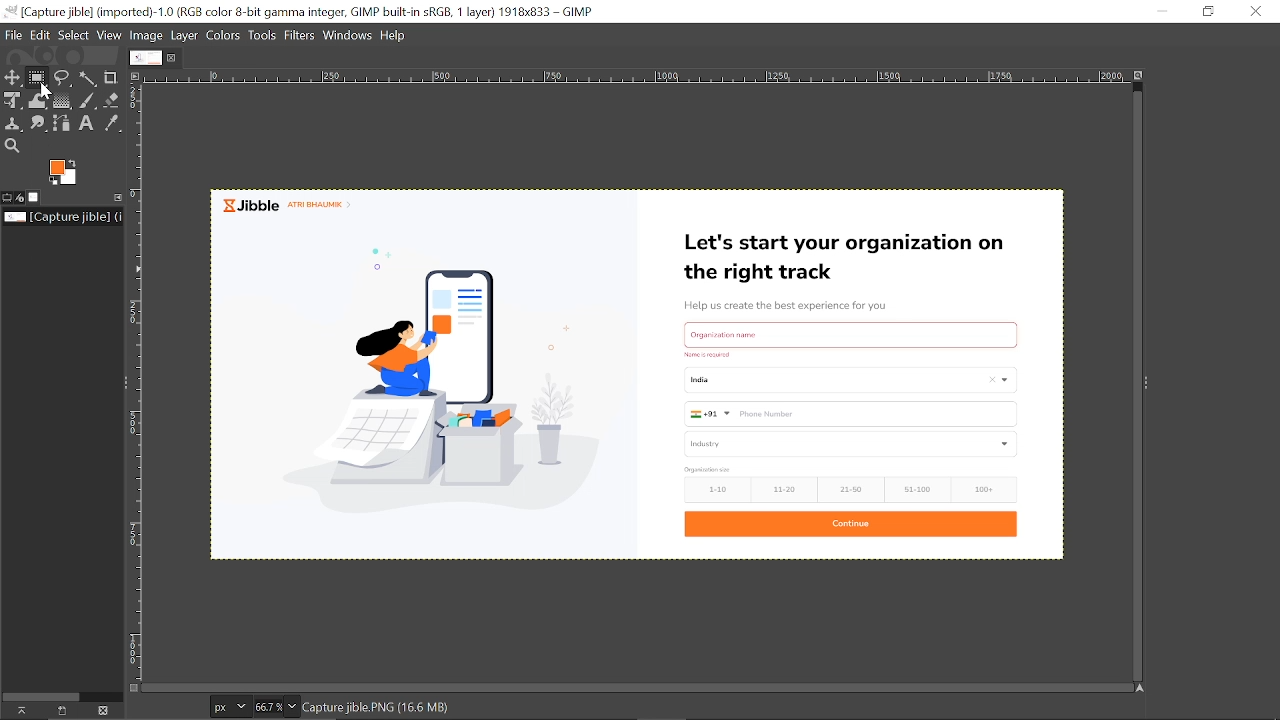 The height and width of the screenshot is (720, 1280). I want to click on cursor, so click(47, 89).